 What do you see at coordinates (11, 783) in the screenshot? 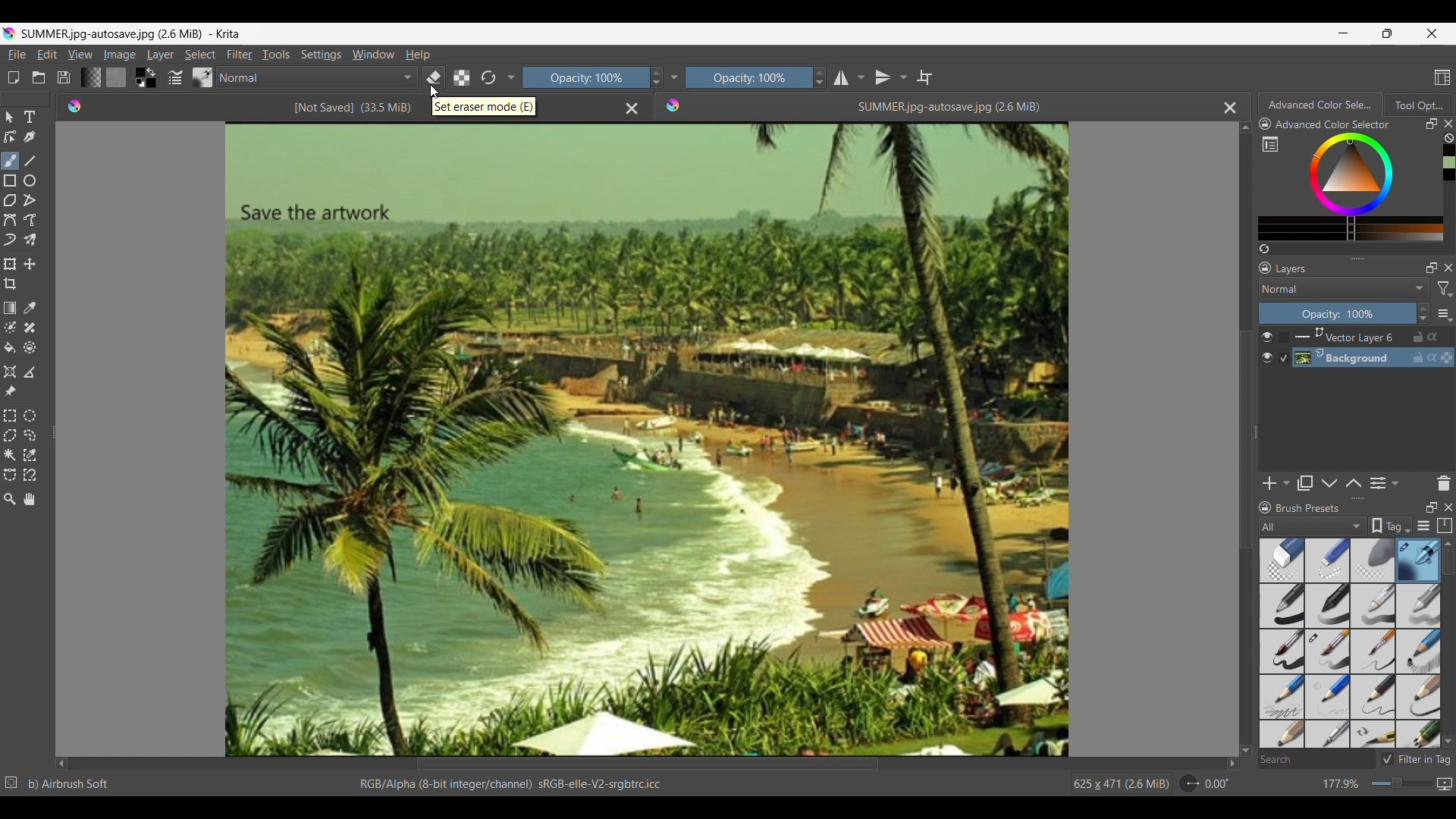
I see `No selection ` at bounding box center [11, 783].